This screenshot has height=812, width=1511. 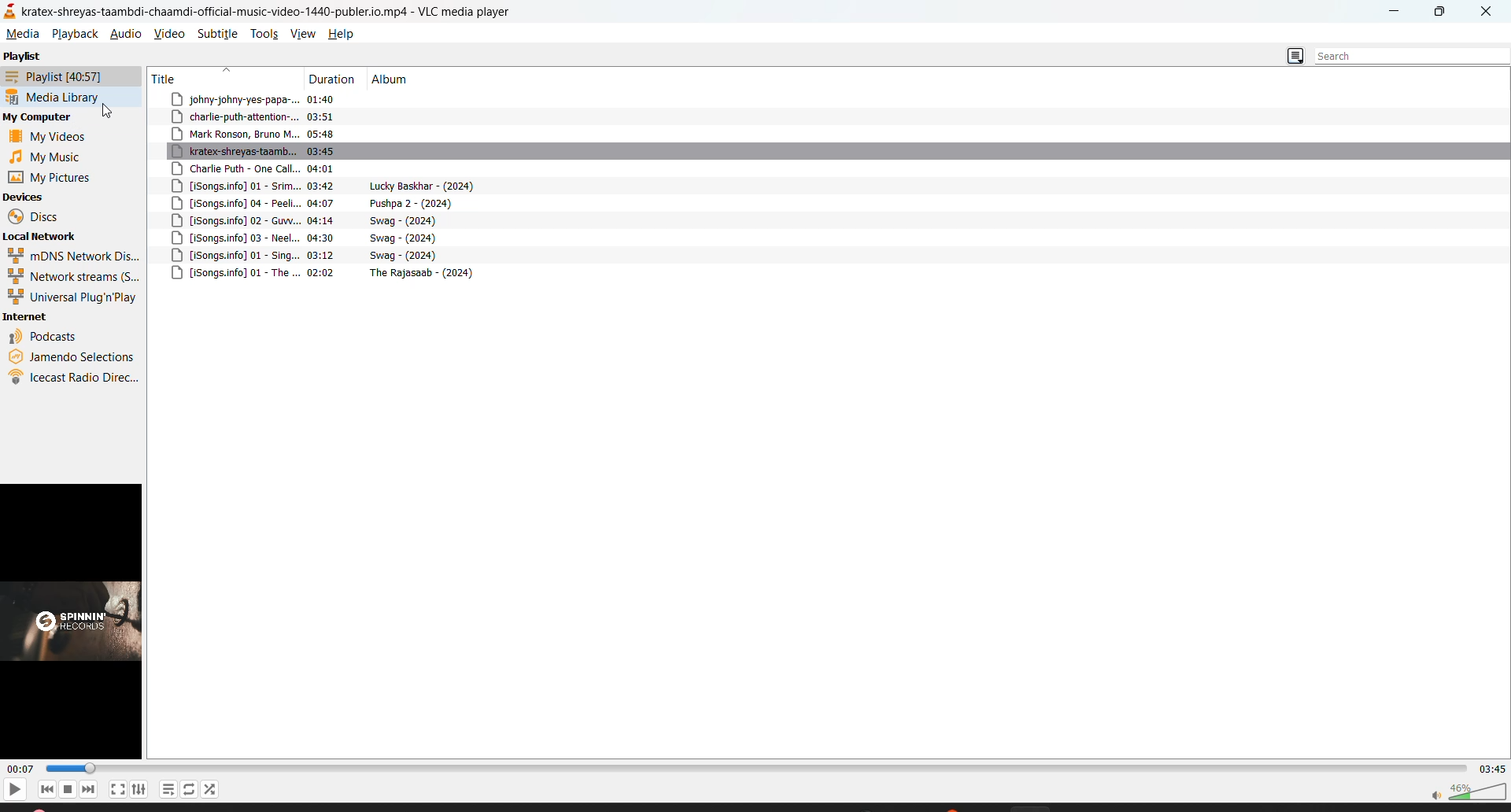 What do you see at coordinates (51, 156) in the screenshot?
I see `music` at bounding box center [51, 156].